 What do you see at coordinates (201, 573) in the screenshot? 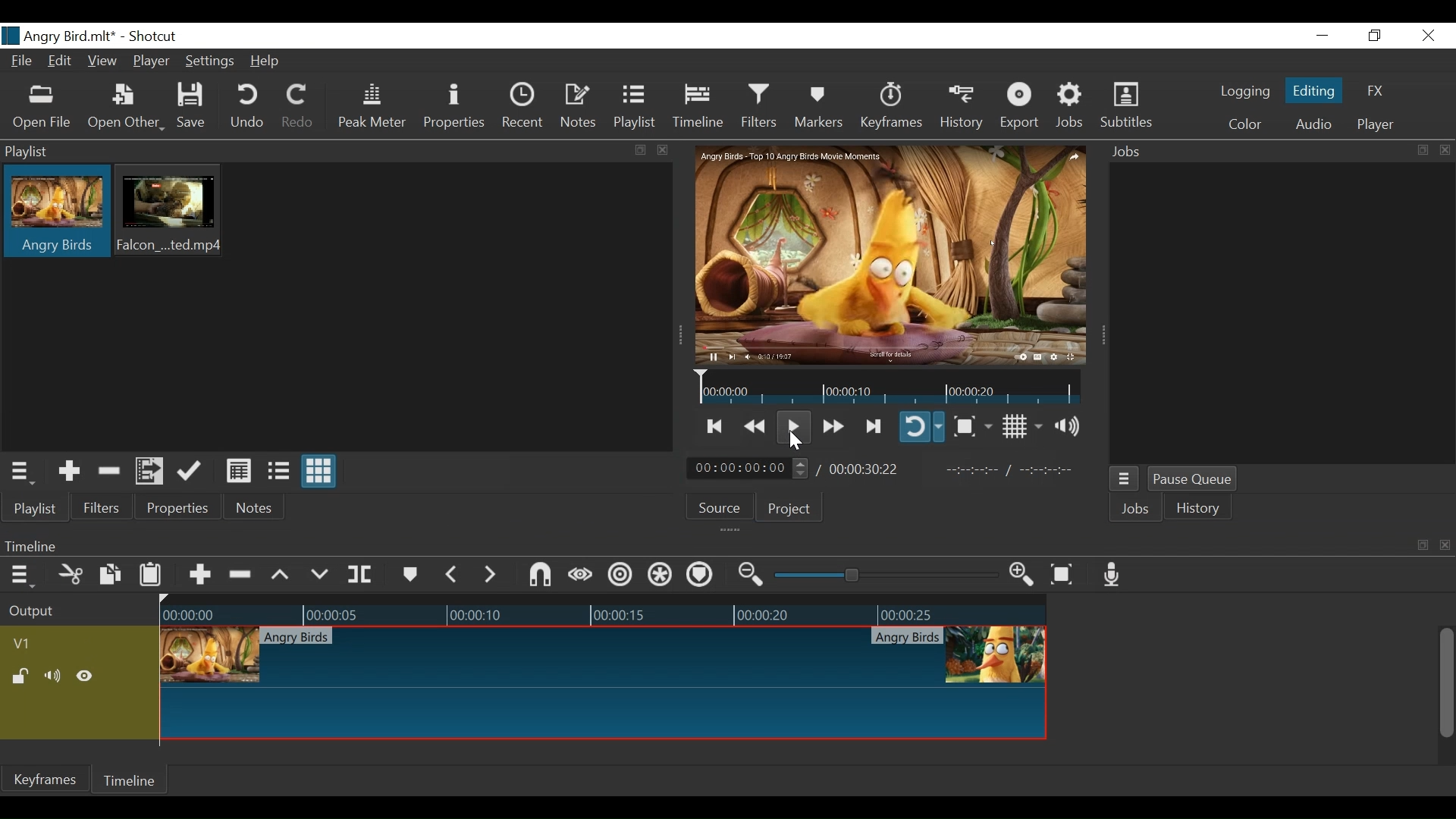
I see `Append` at bounding box center [201, 573].